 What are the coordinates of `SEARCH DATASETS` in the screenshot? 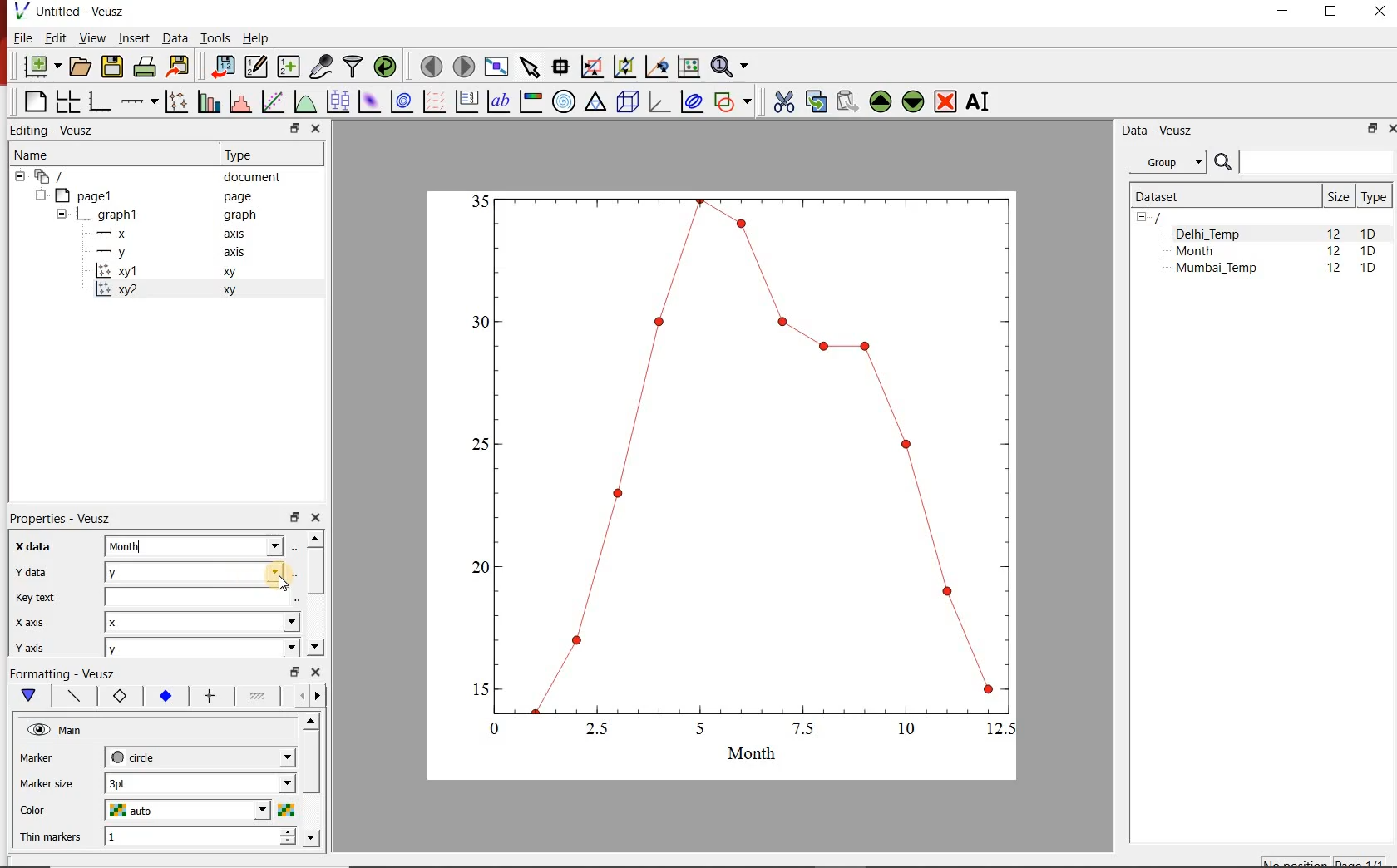 It's located at (1303, 163).